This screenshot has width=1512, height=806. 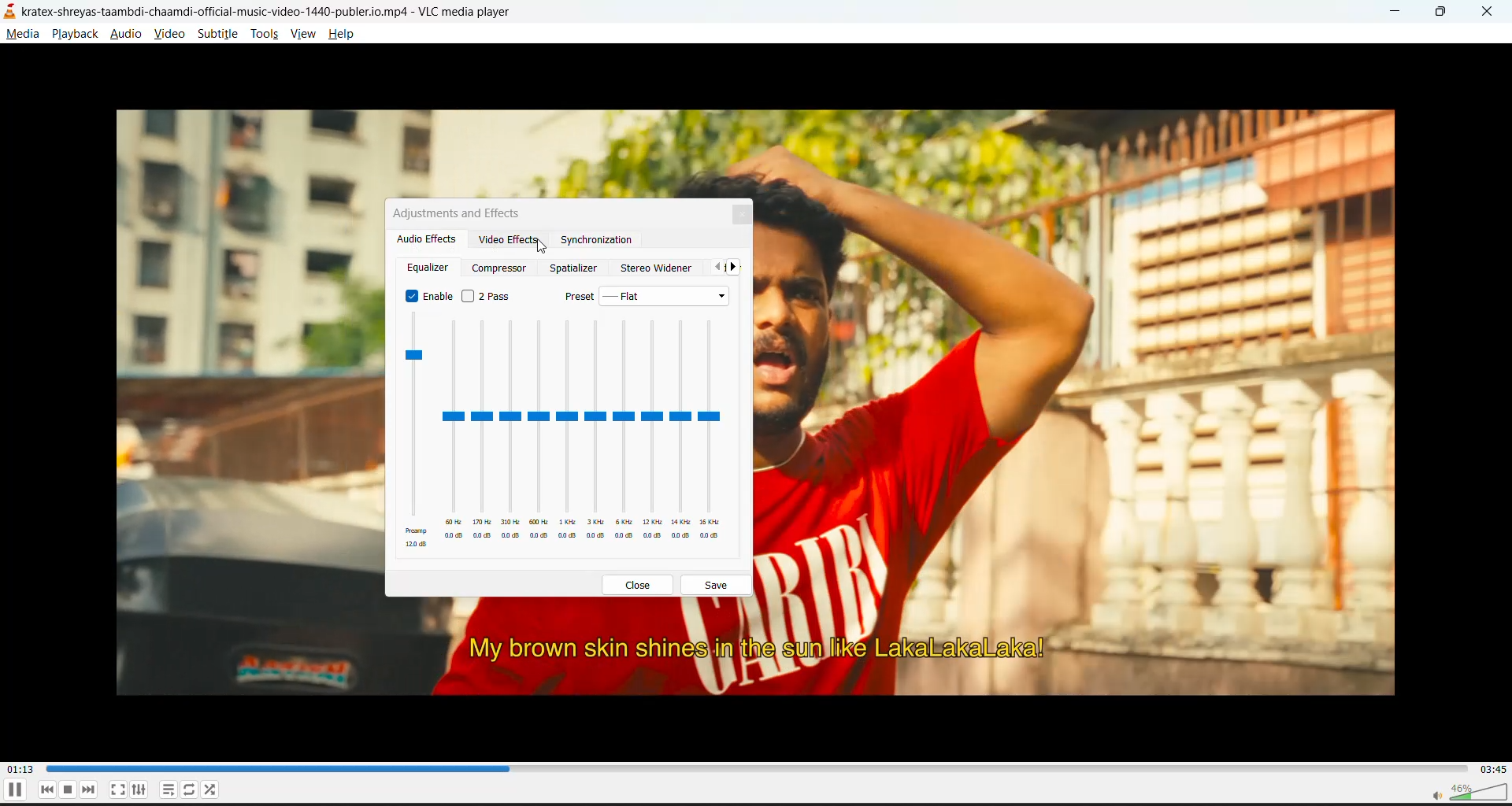 What do you see at coordinates (644, 585) in the screenshot?
I see `close` at bounding box center [644, 585].